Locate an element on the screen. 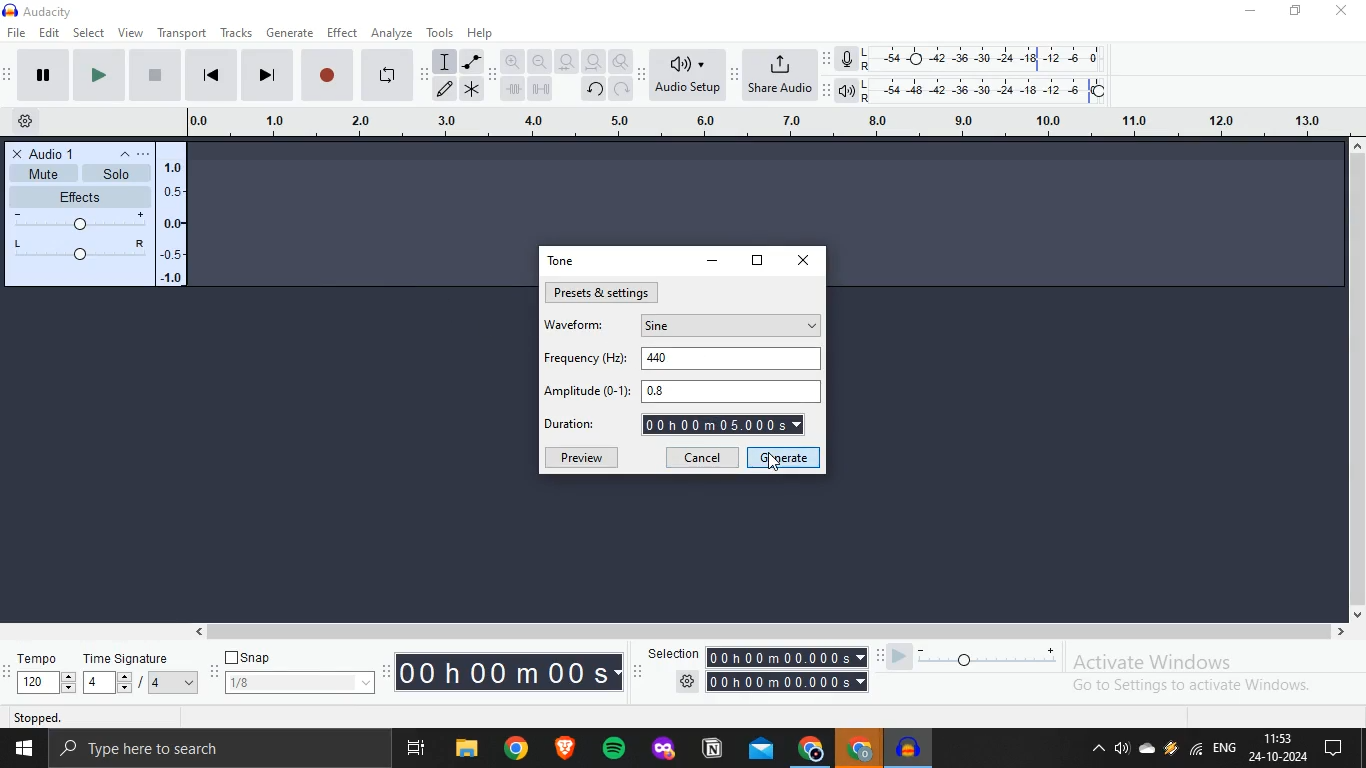 This screenshot has height=768, width=1366. 00h 00m 00s is located at coordinates (509, 671).